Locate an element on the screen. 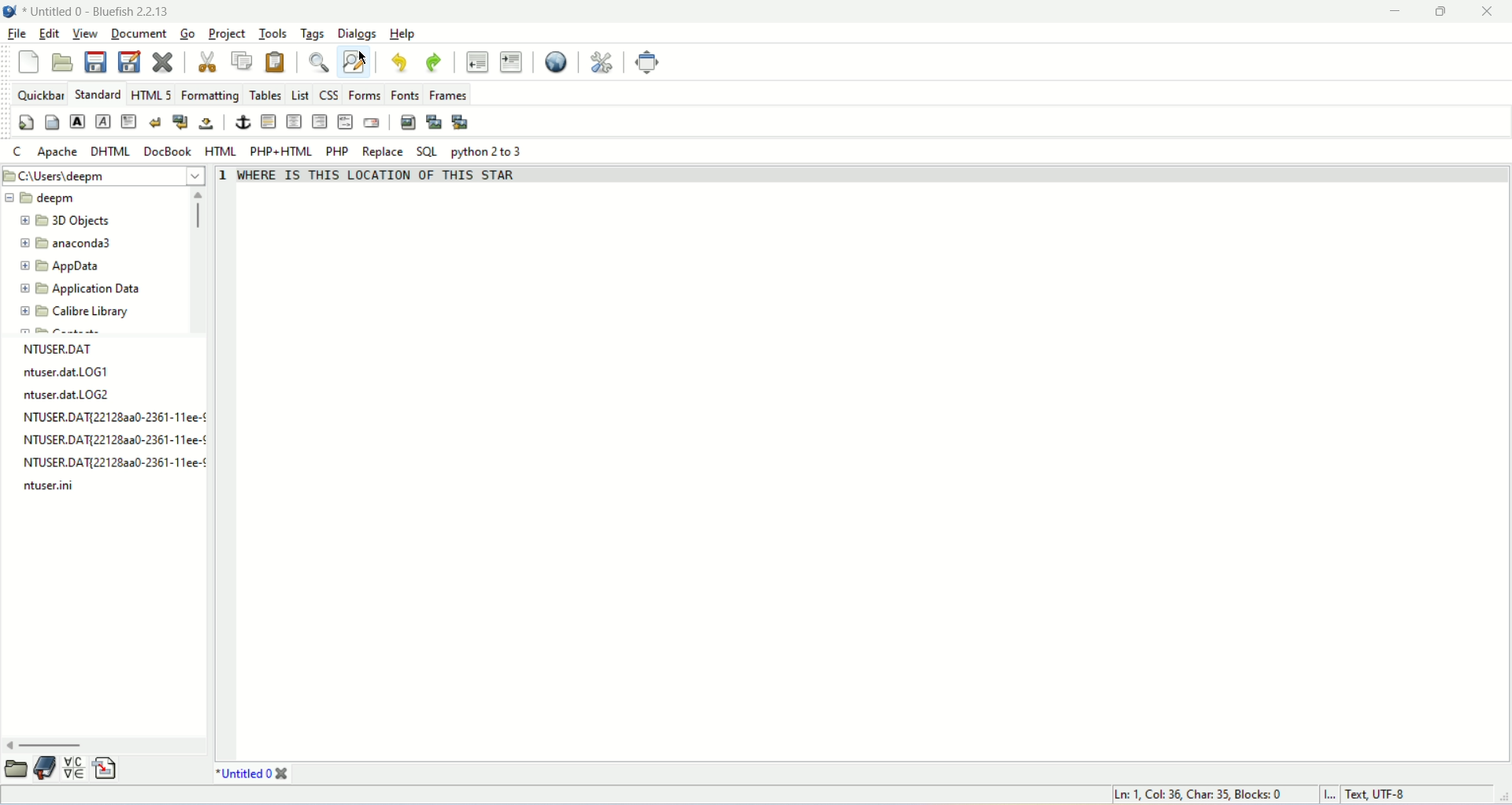 Image resolution: width=1512 pixels, height=805 pixels. cut is located at coordinates (209, 62).